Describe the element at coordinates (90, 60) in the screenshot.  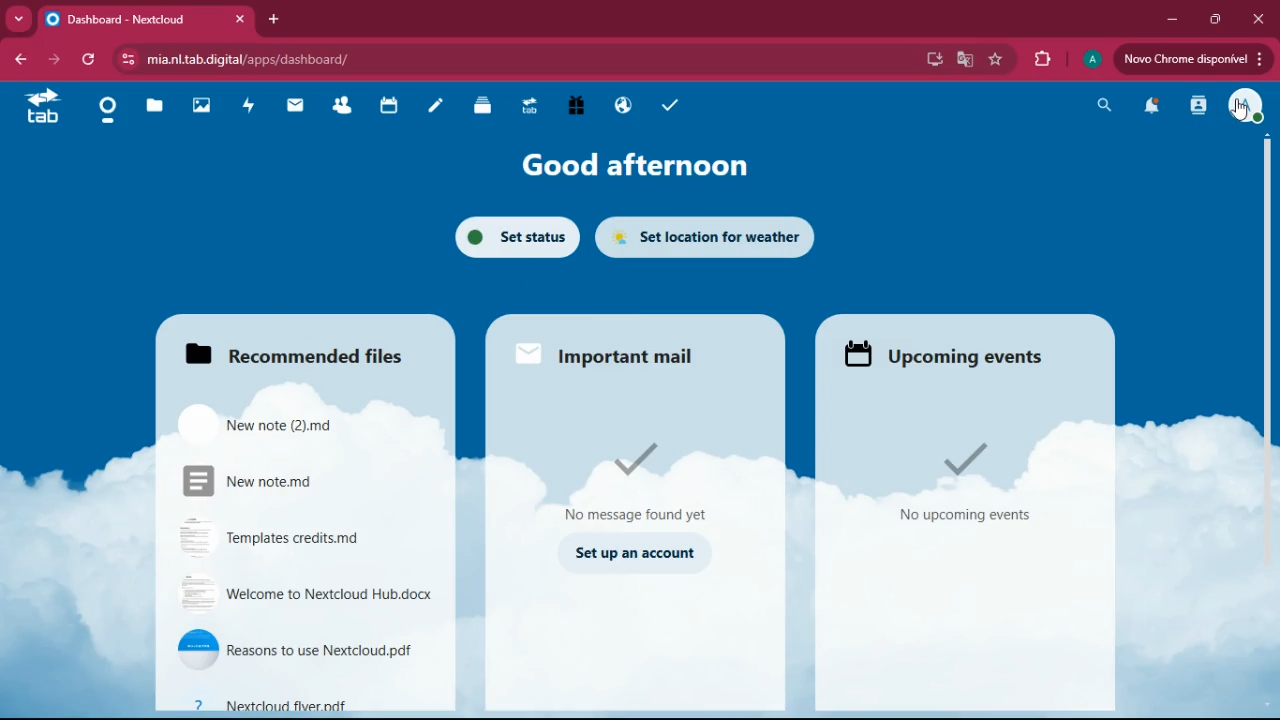
I see `refresh` at that location.